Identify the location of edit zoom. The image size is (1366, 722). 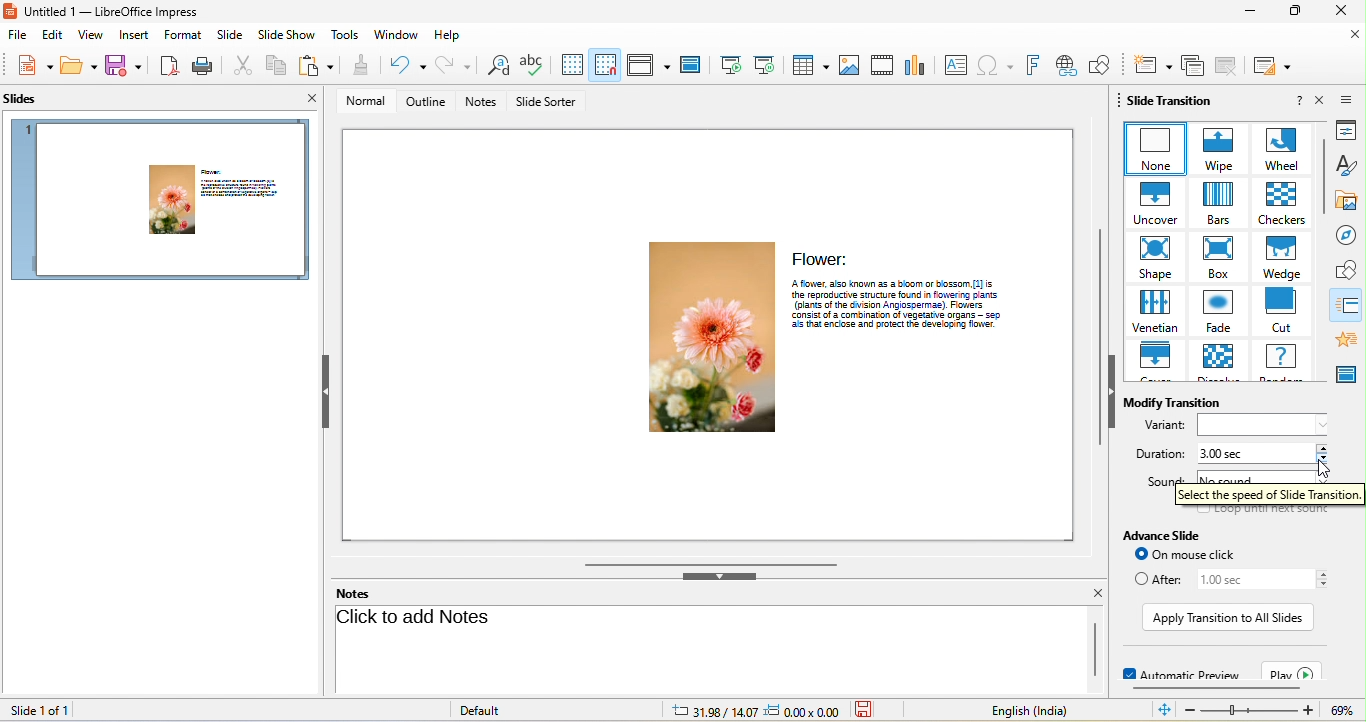
(1250, 711).